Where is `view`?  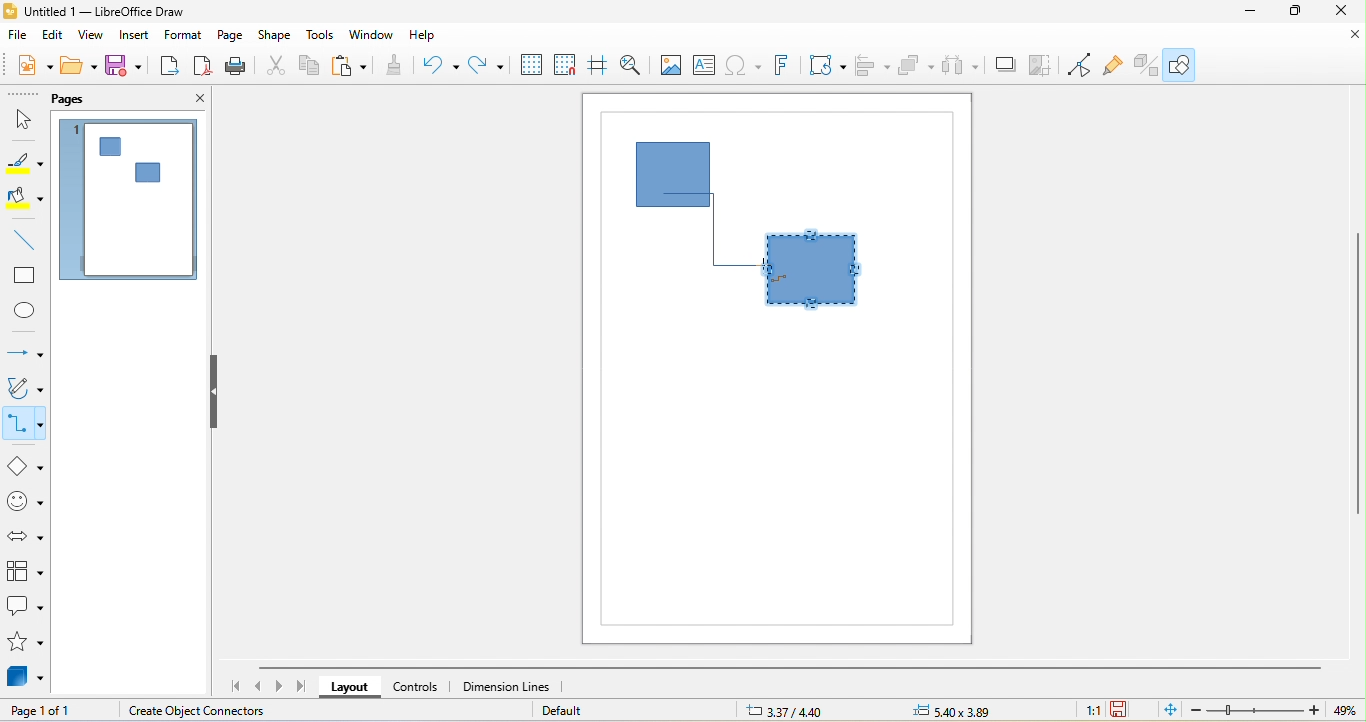 view is located at coordinates (92, 36).